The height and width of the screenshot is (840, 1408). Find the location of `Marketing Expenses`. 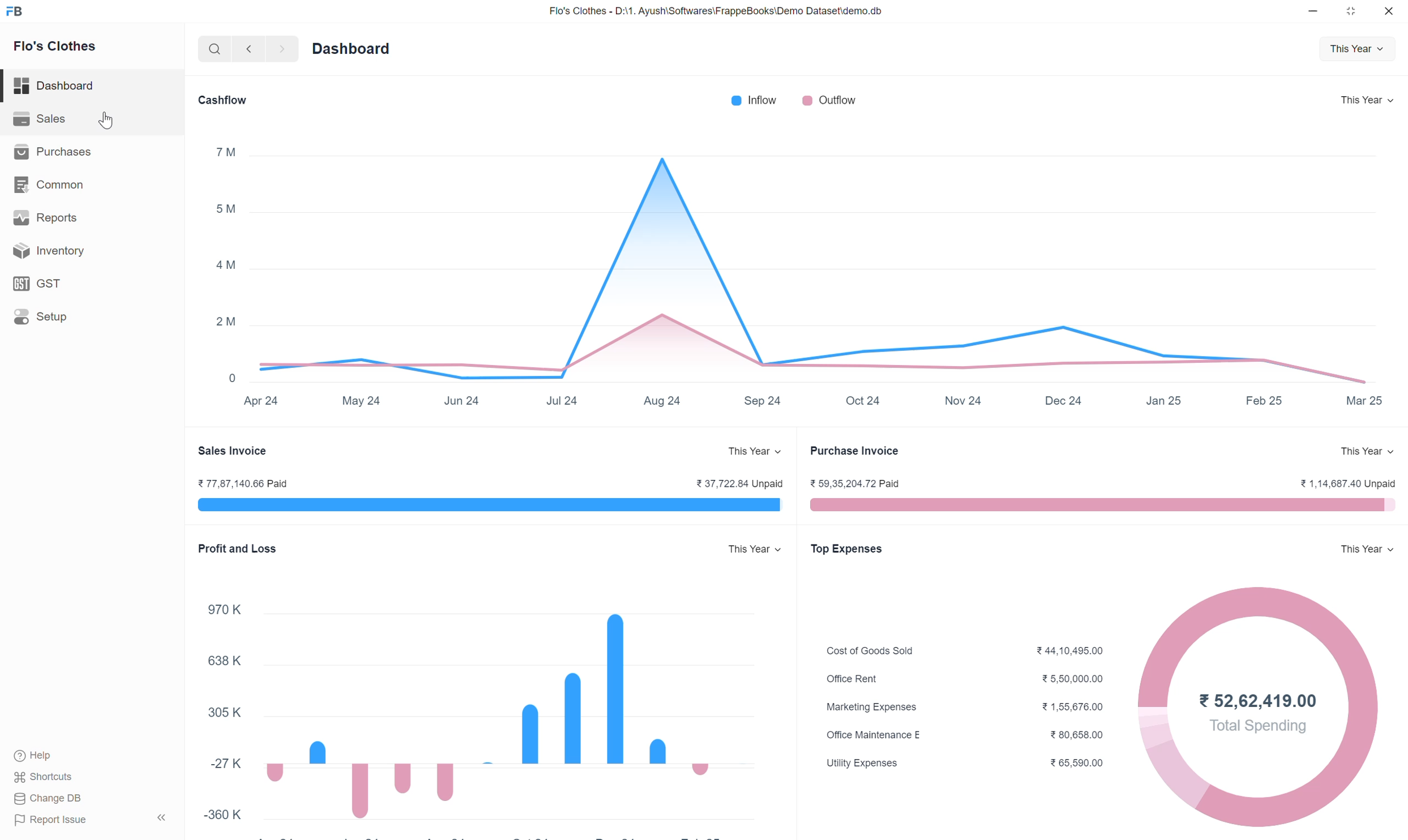

Marketing Expenses is located at coordinates (874, 706).